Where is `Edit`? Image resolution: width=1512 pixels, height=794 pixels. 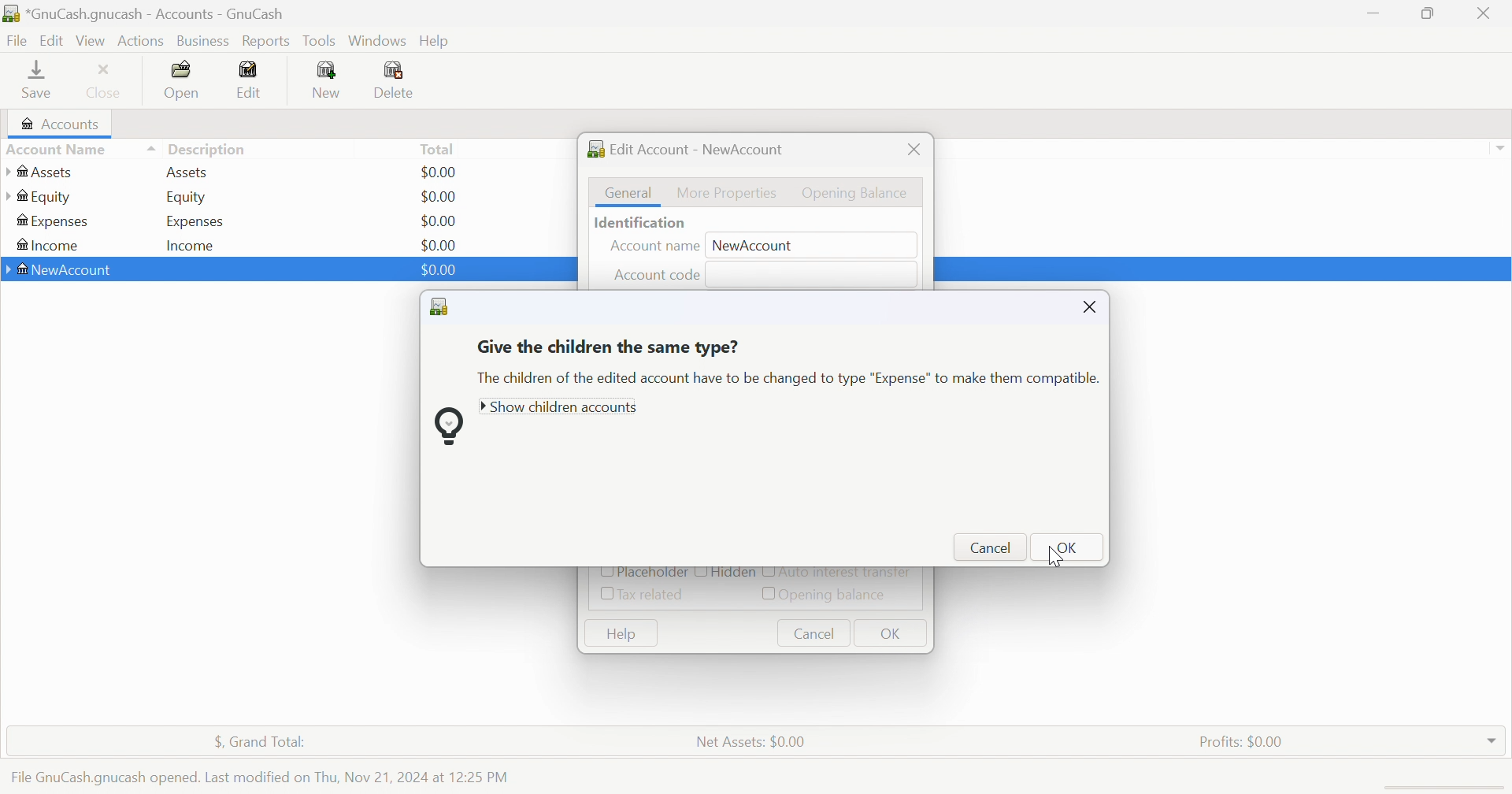
Edit is located at coordinates (54, 39).